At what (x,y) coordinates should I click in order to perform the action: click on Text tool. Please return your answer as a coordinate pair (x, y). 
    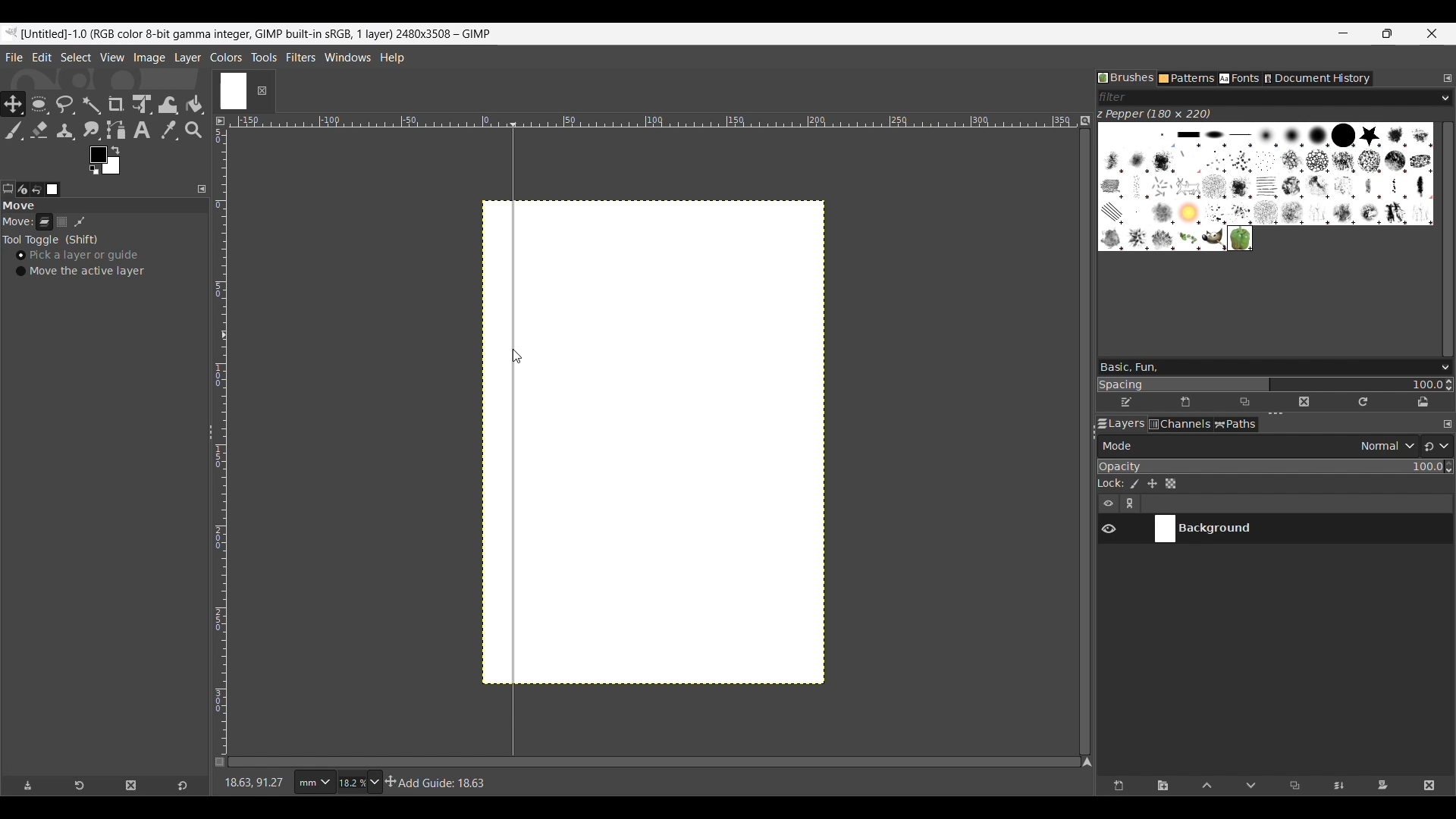
    Looking at the image, I should click on (143, 130).